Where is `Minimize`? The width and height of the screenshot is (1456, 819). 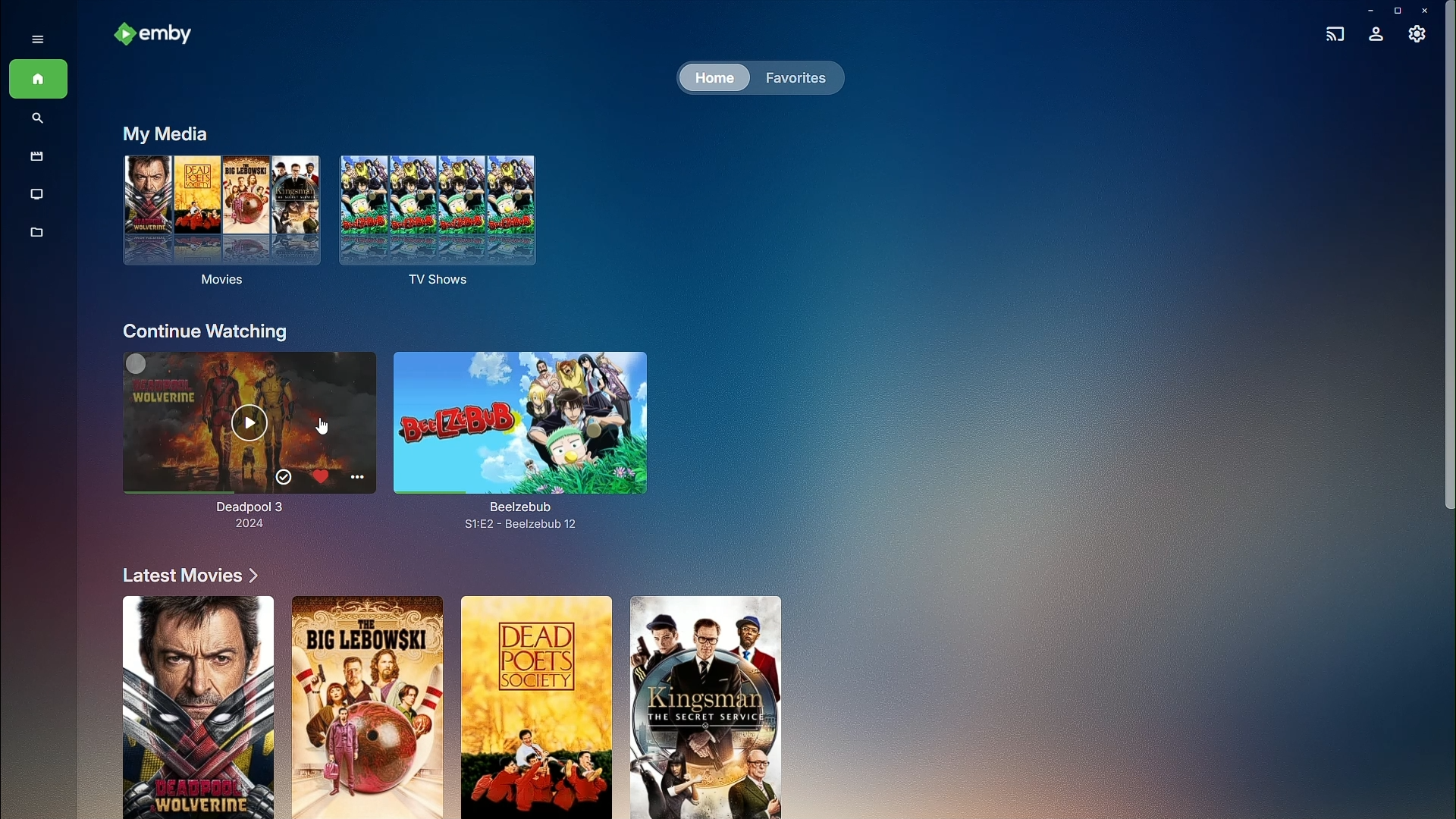 Minimize is located at coordinates (1367, 8).